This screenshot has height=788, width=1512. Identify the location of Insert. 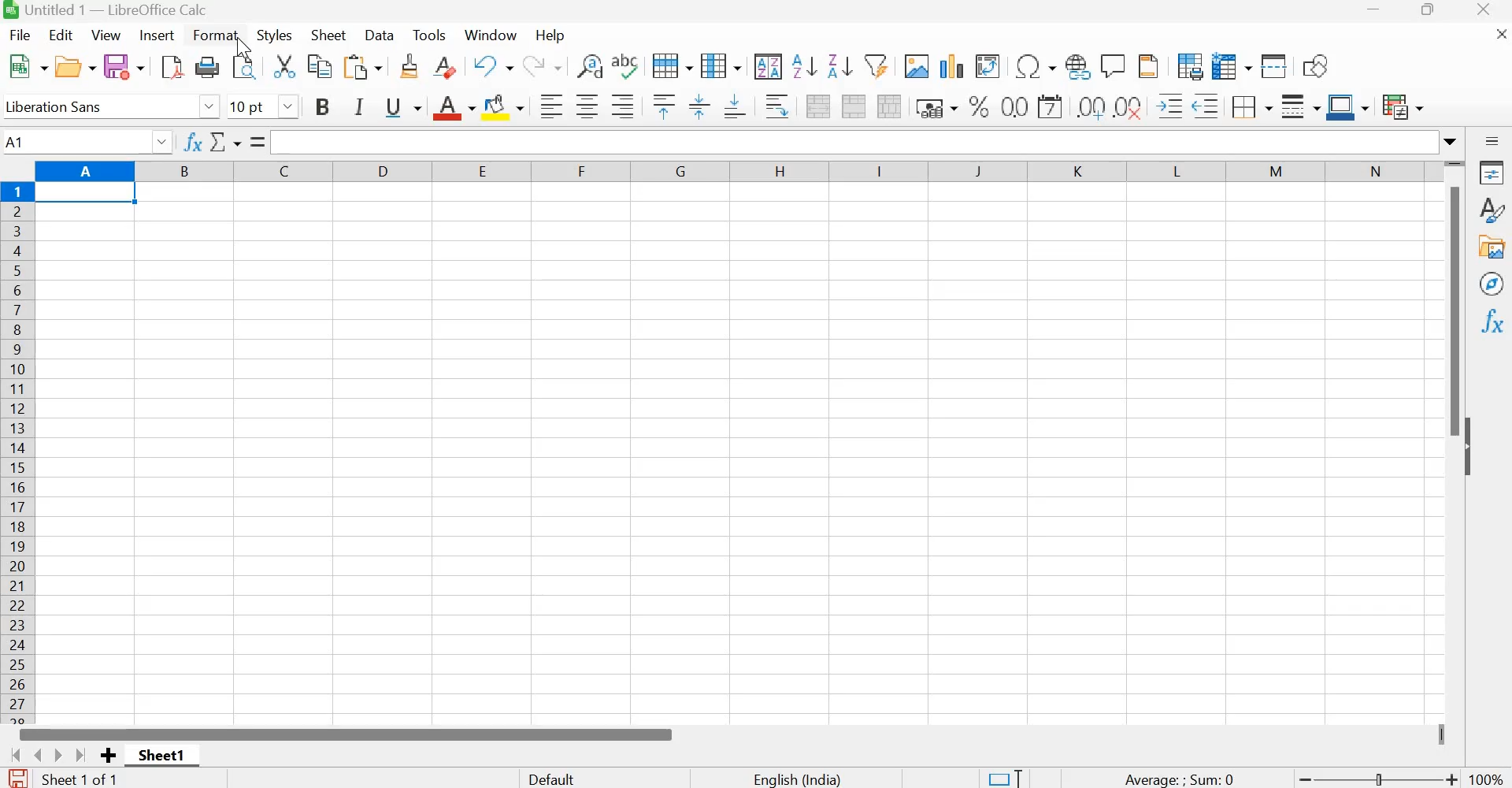
(158, 36).